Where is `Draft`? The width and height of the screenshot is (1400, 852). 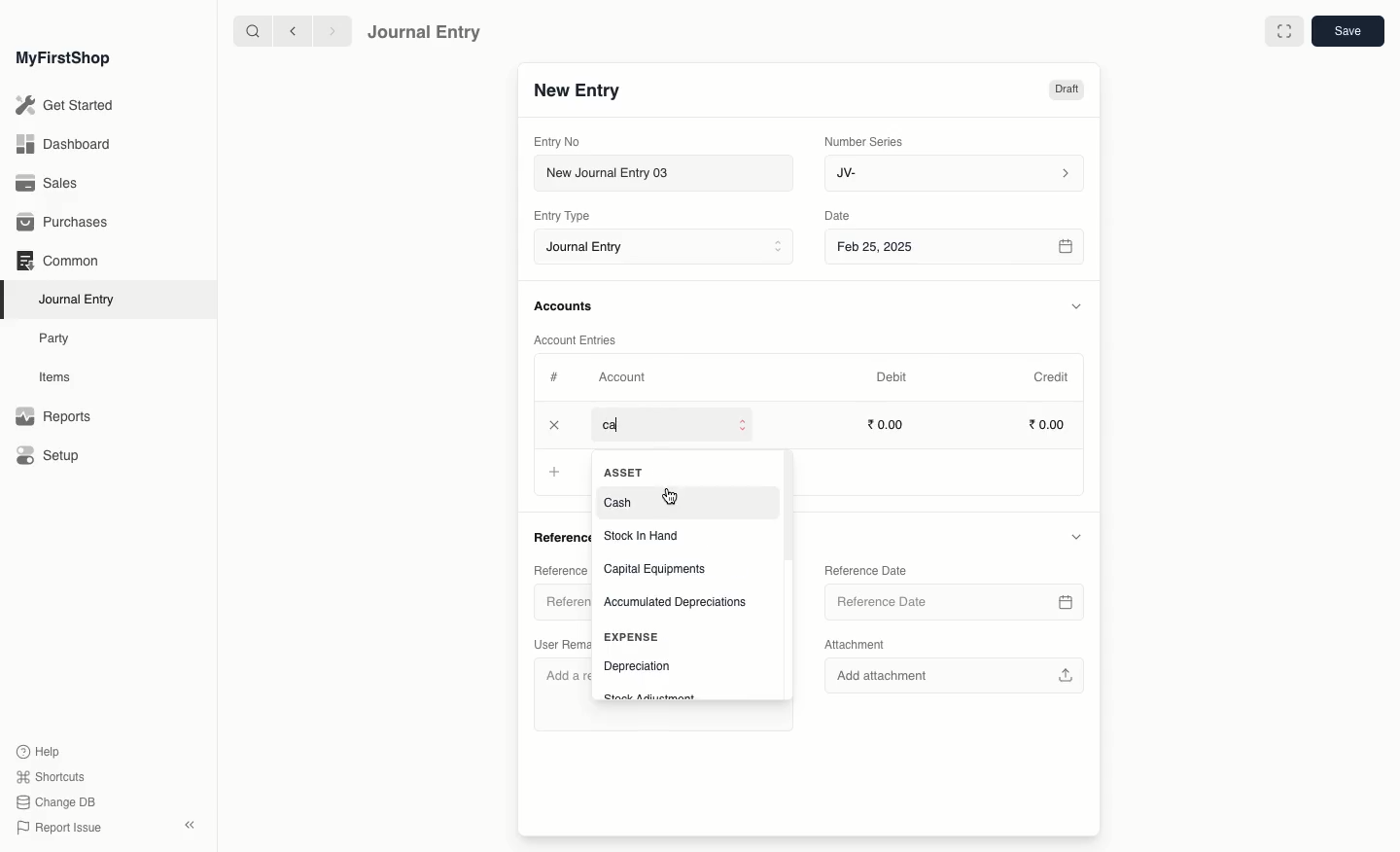 Draft is located at coordinates (1066, 91).